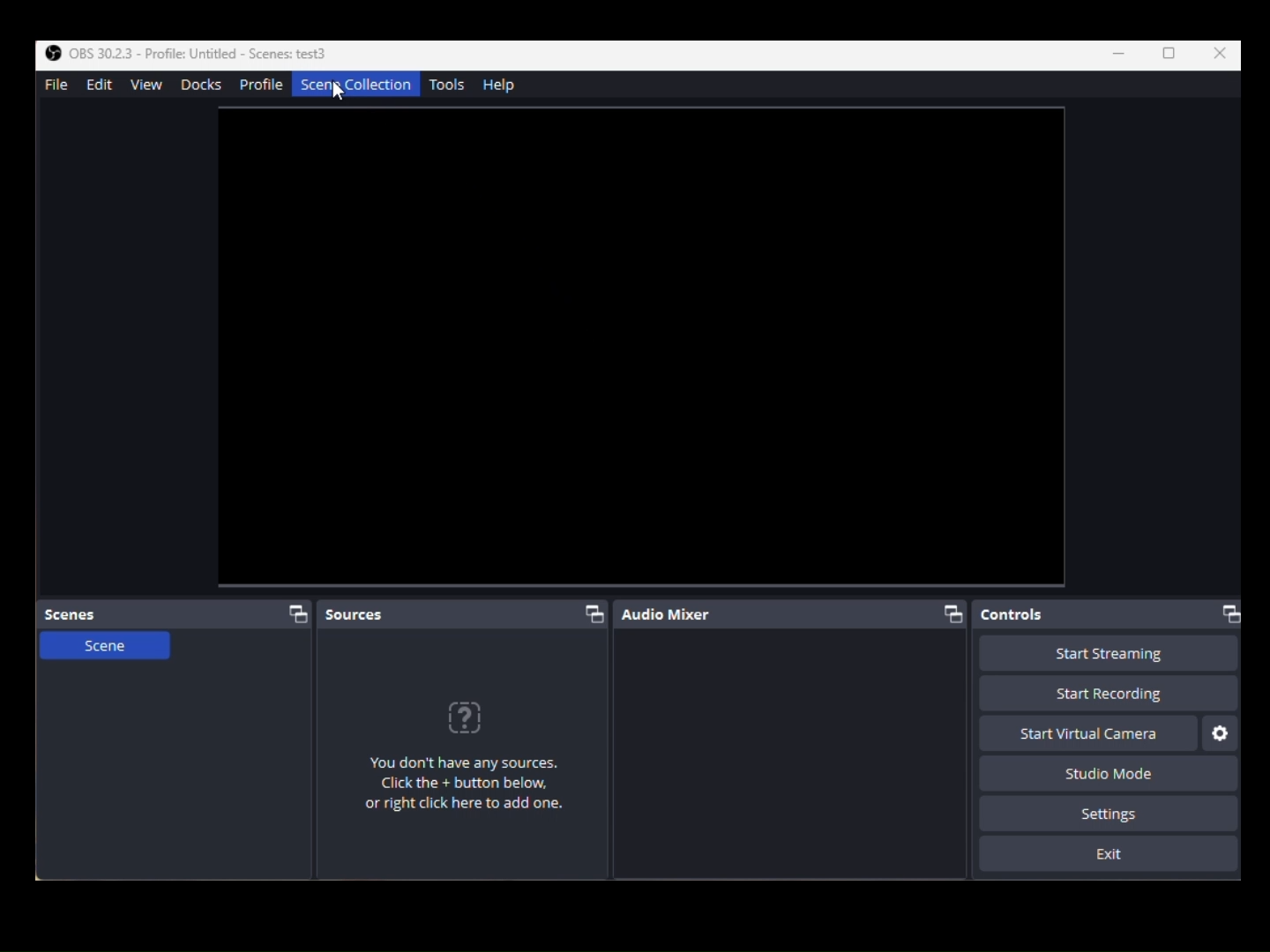  What do you see at coordinates (475, 762) in the screenshot?
I see `Any Sources` at bounding box center [475, 762].